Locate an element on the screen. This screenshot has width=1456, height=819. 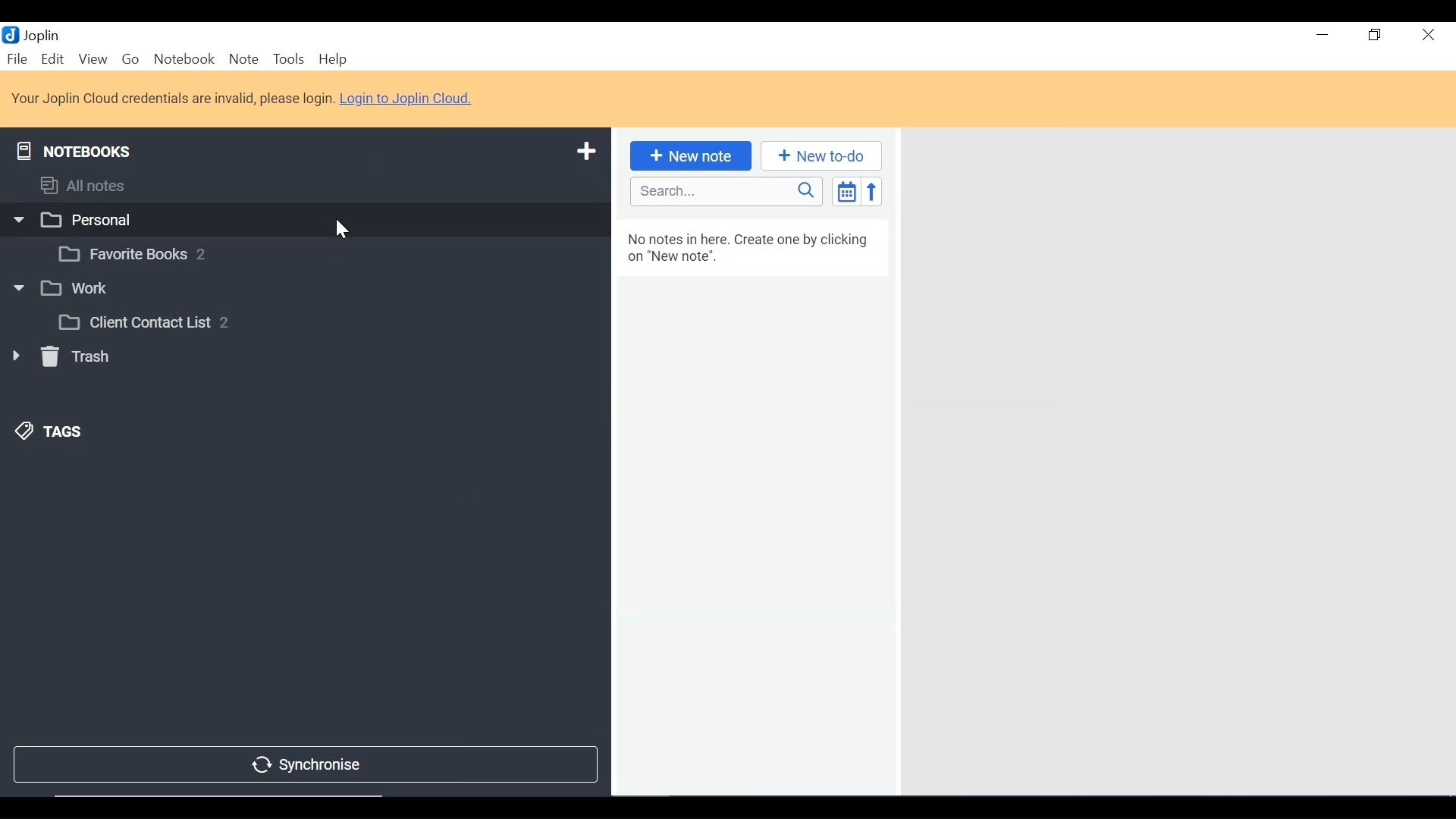
Login to Joplin Cloud is located at coordinates (243, 99).